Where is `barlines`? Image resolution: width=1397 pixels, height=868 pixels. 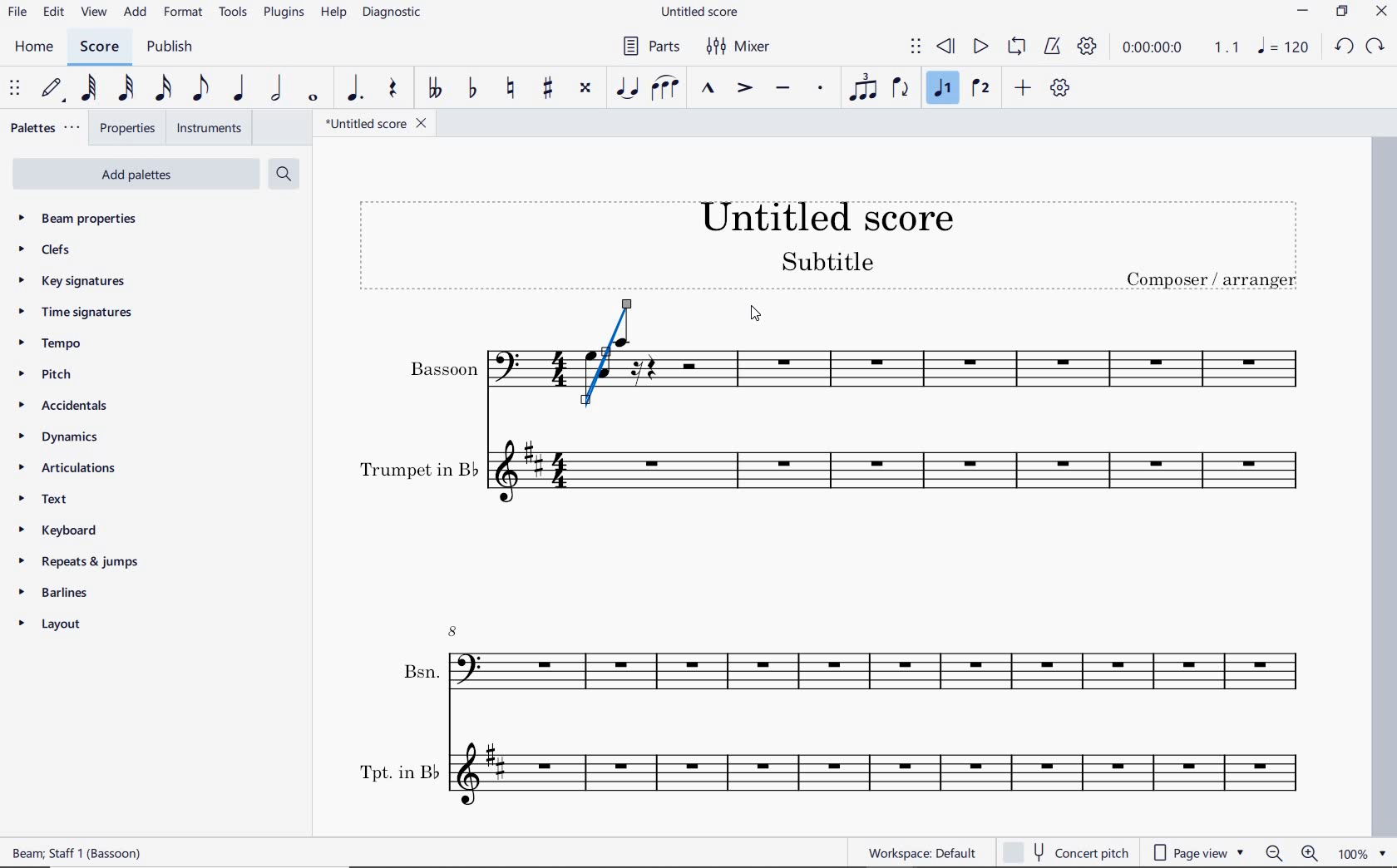
barlines is located at coordinates (55, 594).